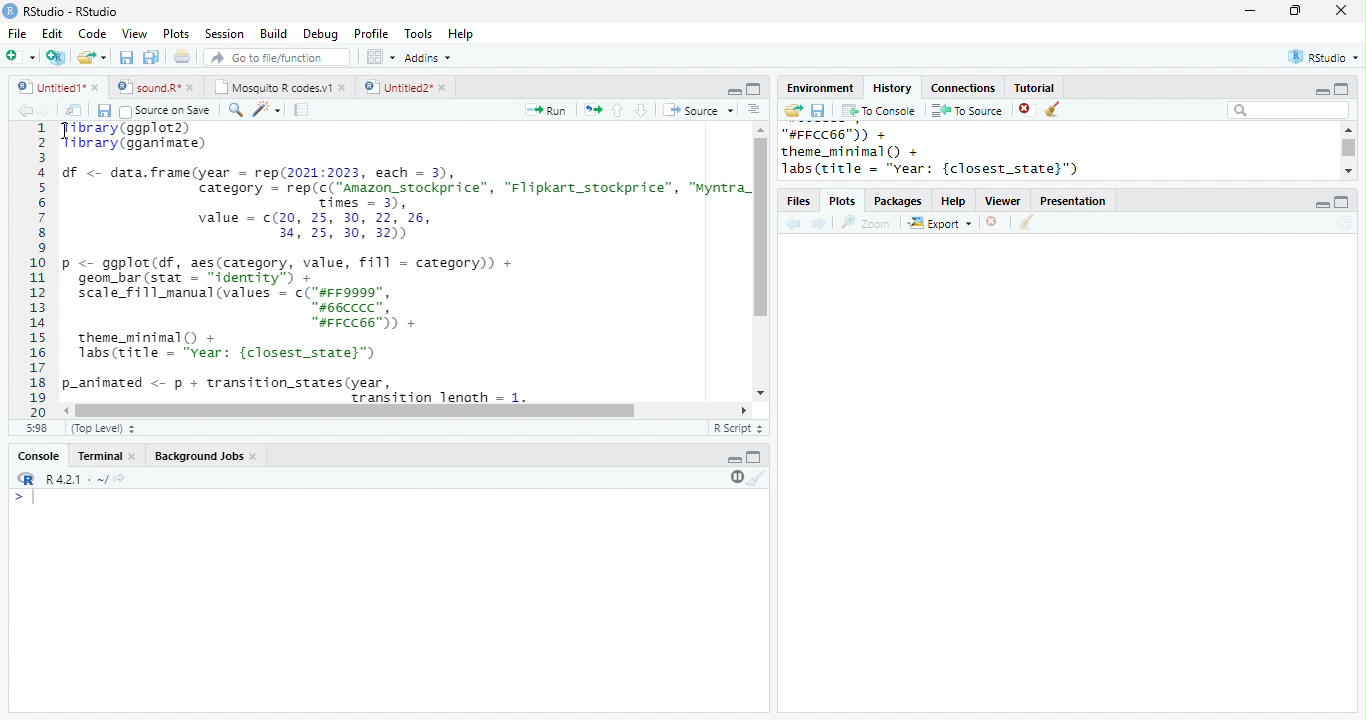 This screenshot has width=1366, height=720. What do you see at coordinates (1321, 91) in the screenshot?
I see `minimize` at bounding box center [1321, 91].